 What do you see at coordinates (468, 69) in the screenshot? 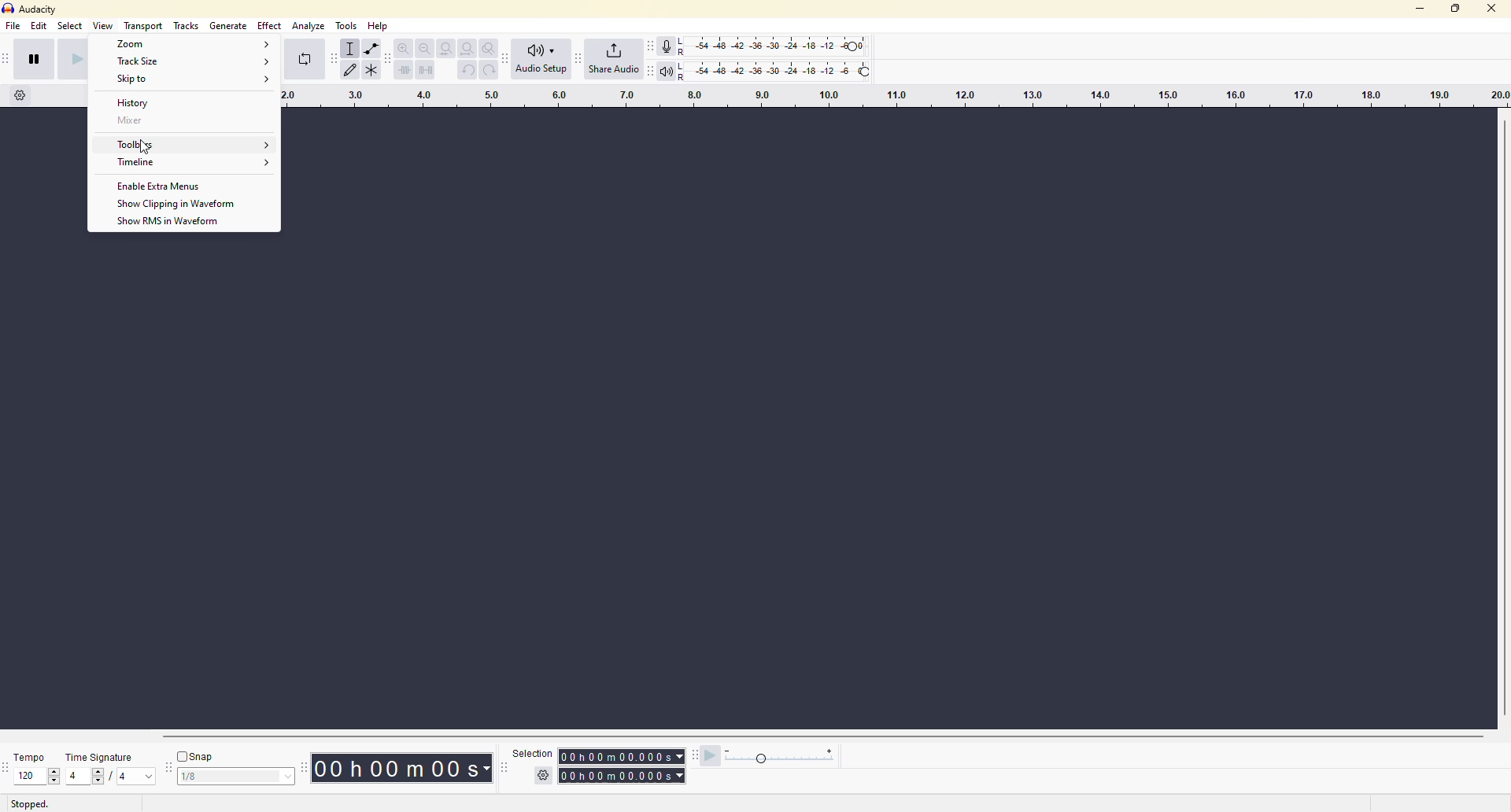
I see `undo` at bounding box center [468, 69].